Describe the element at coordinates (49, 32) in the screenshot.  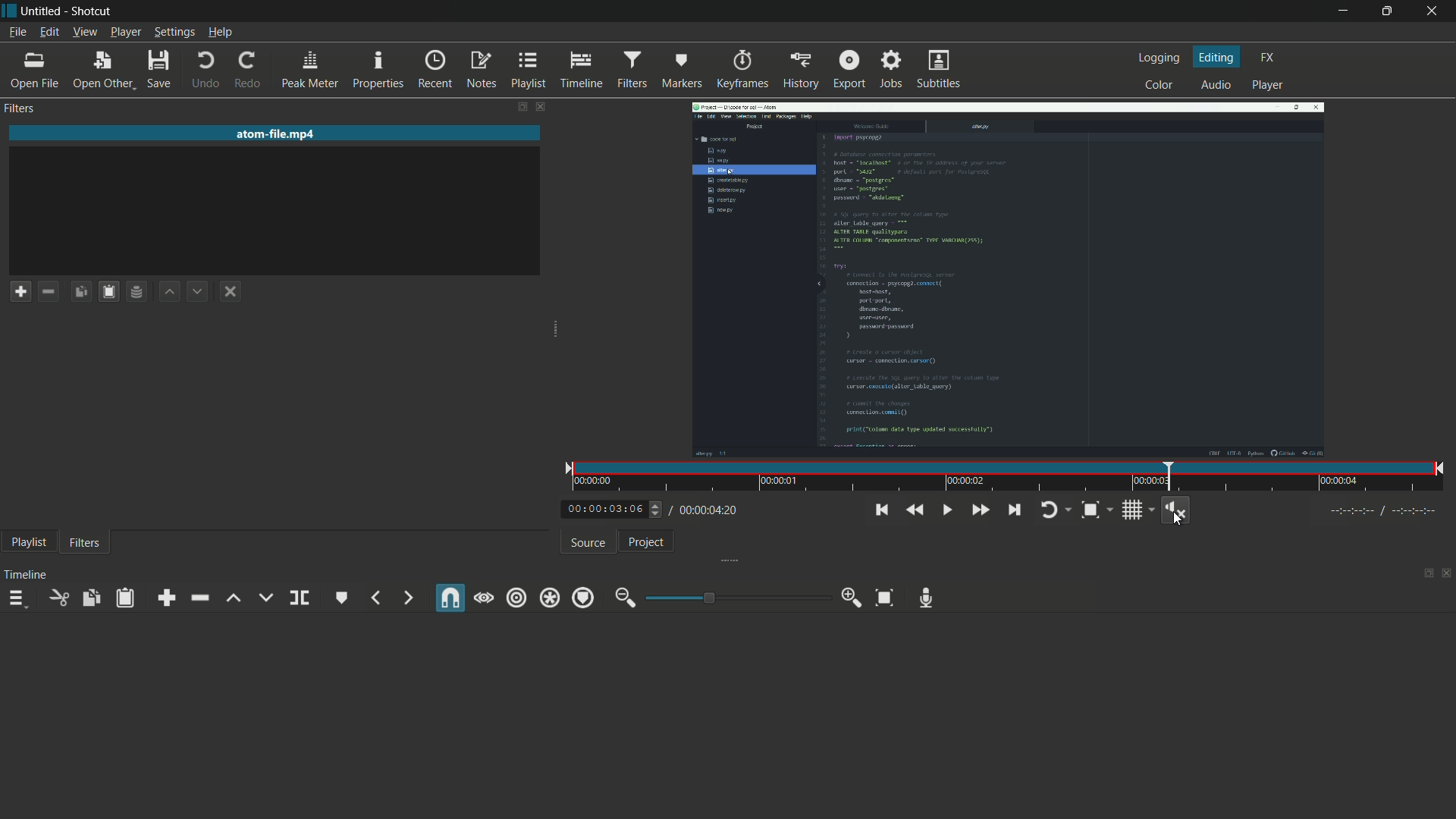
I see `edit` at that location.